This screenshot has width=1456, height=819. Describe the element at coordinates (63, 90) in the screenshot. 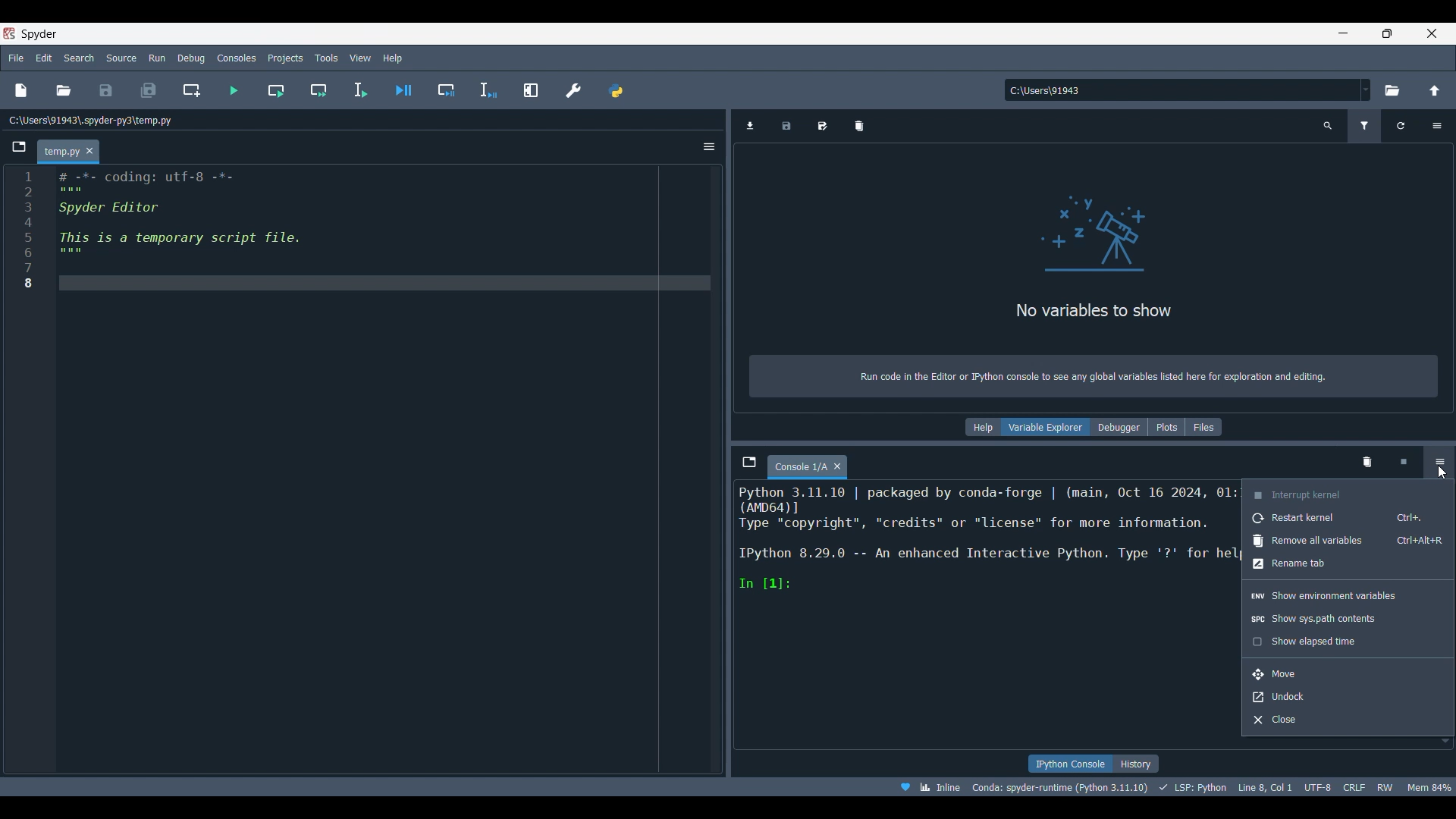

I see `Open file` at that location.